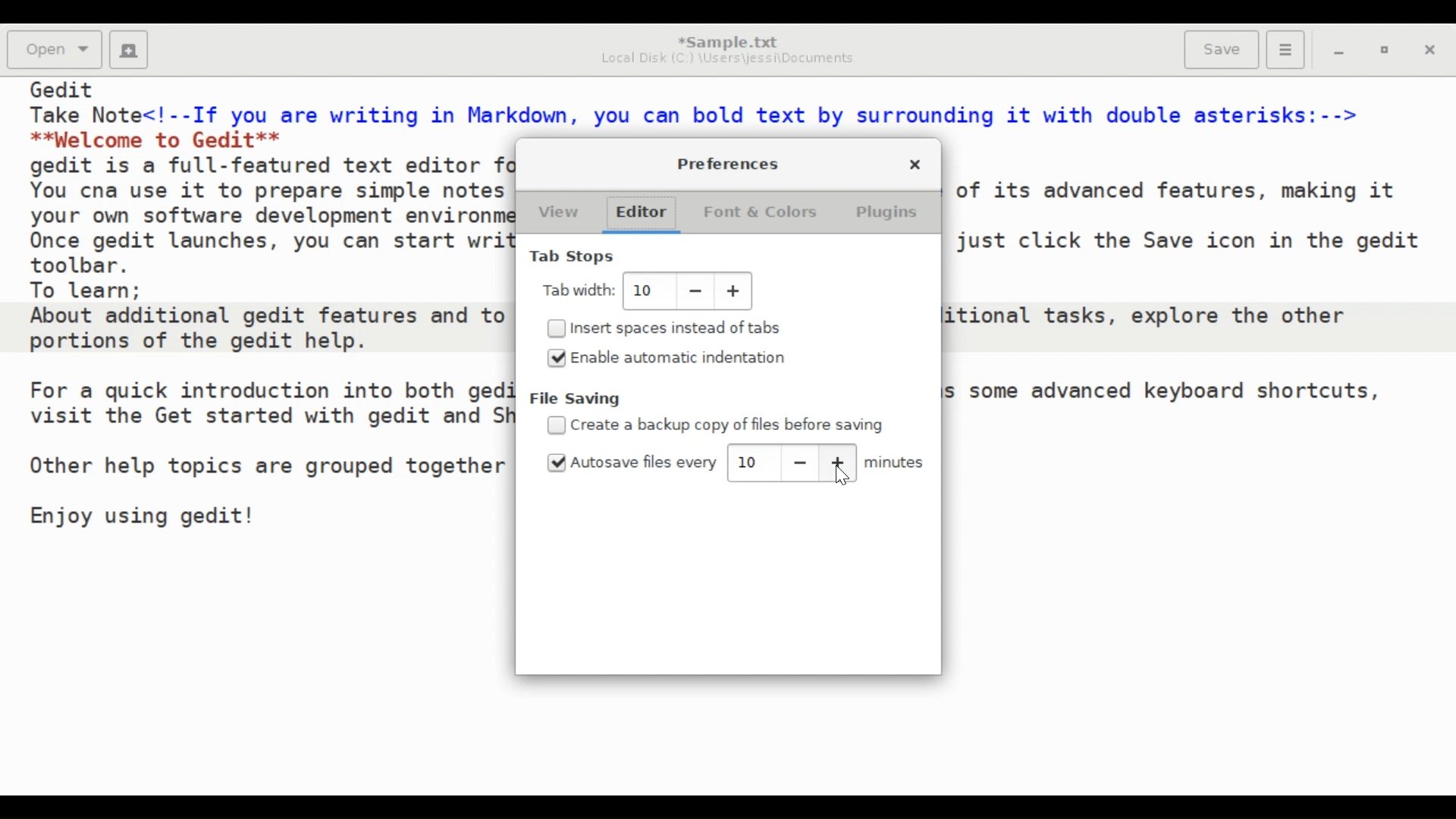 The height and width of the screenshot is (819, 1456). What do you see at coordinates (129, 50) in the screenshot?
I see `Create a new document` at bounding box center [129, 50].